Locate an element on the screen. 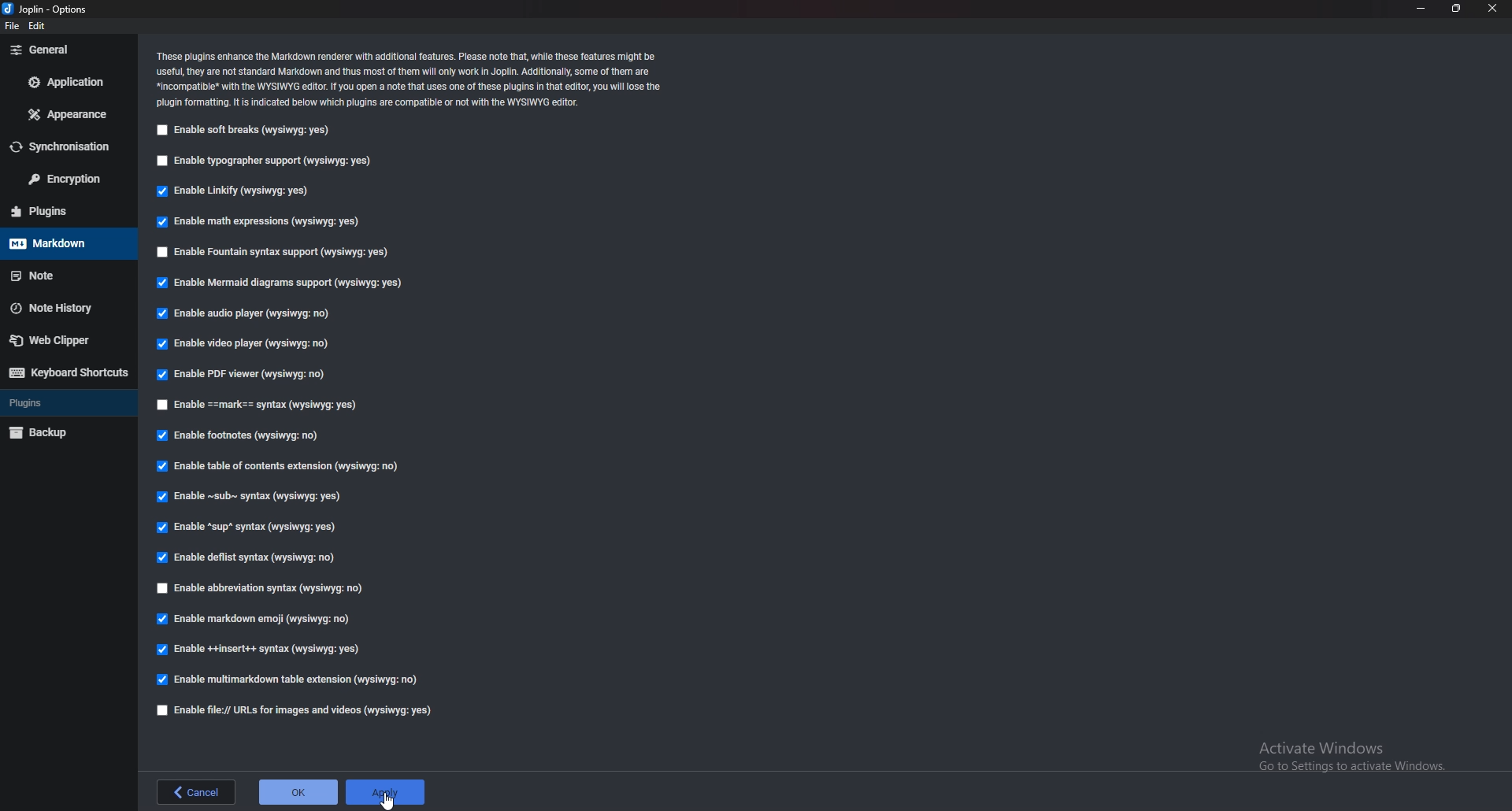 The height and width of the screenshot is (811, 1512). Enable math expressions is located at coordinates (258, 223).